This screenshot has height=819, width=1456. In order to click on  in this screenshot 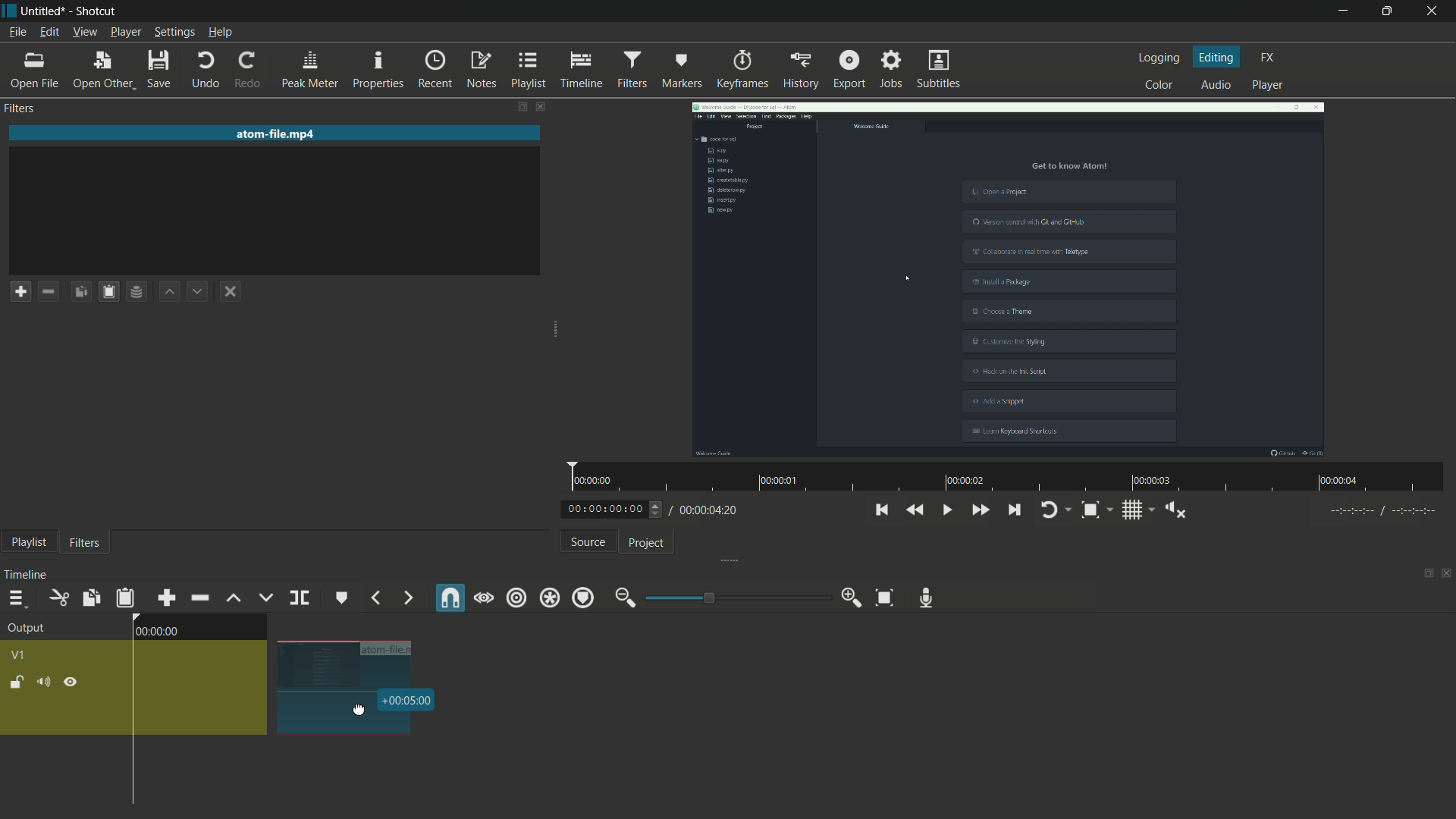, I will do `click(10, 11)`.